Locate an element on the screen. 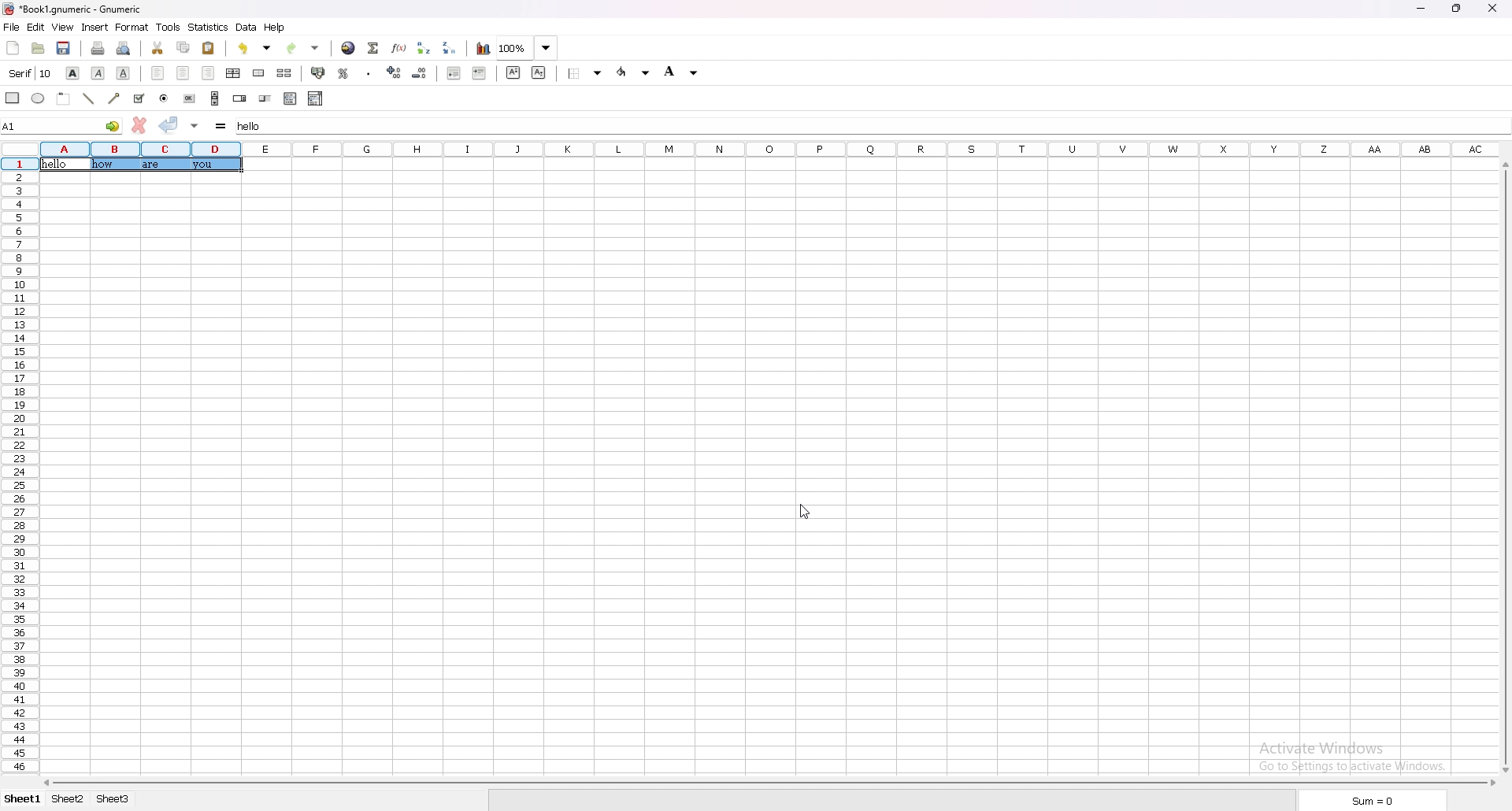 This screenshot has height=811, width=1512. frame is located at coordinates (63, 98).